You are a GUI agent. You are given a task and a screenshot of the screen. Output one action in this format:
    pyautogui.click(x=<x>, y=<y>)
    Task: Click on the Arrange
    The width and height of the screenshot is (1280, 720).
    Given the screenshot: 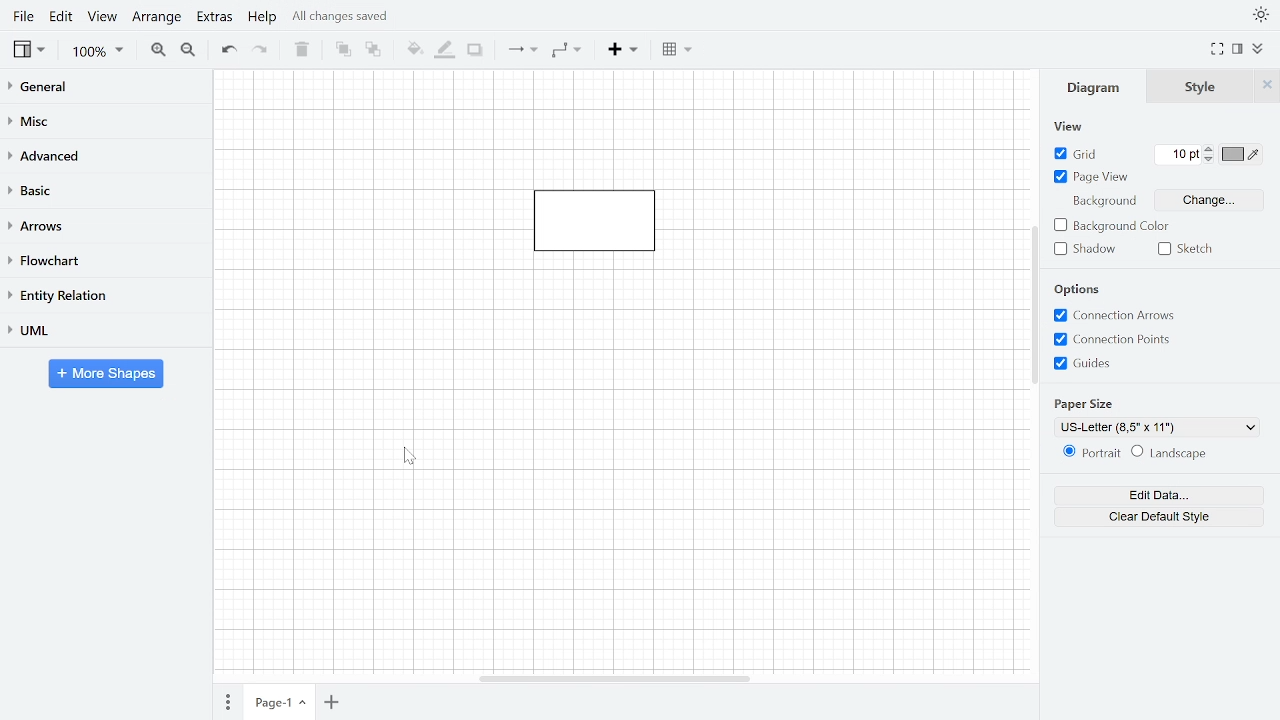 What is the action you would take?
    pyautogui.click(x=157, y=18)
    